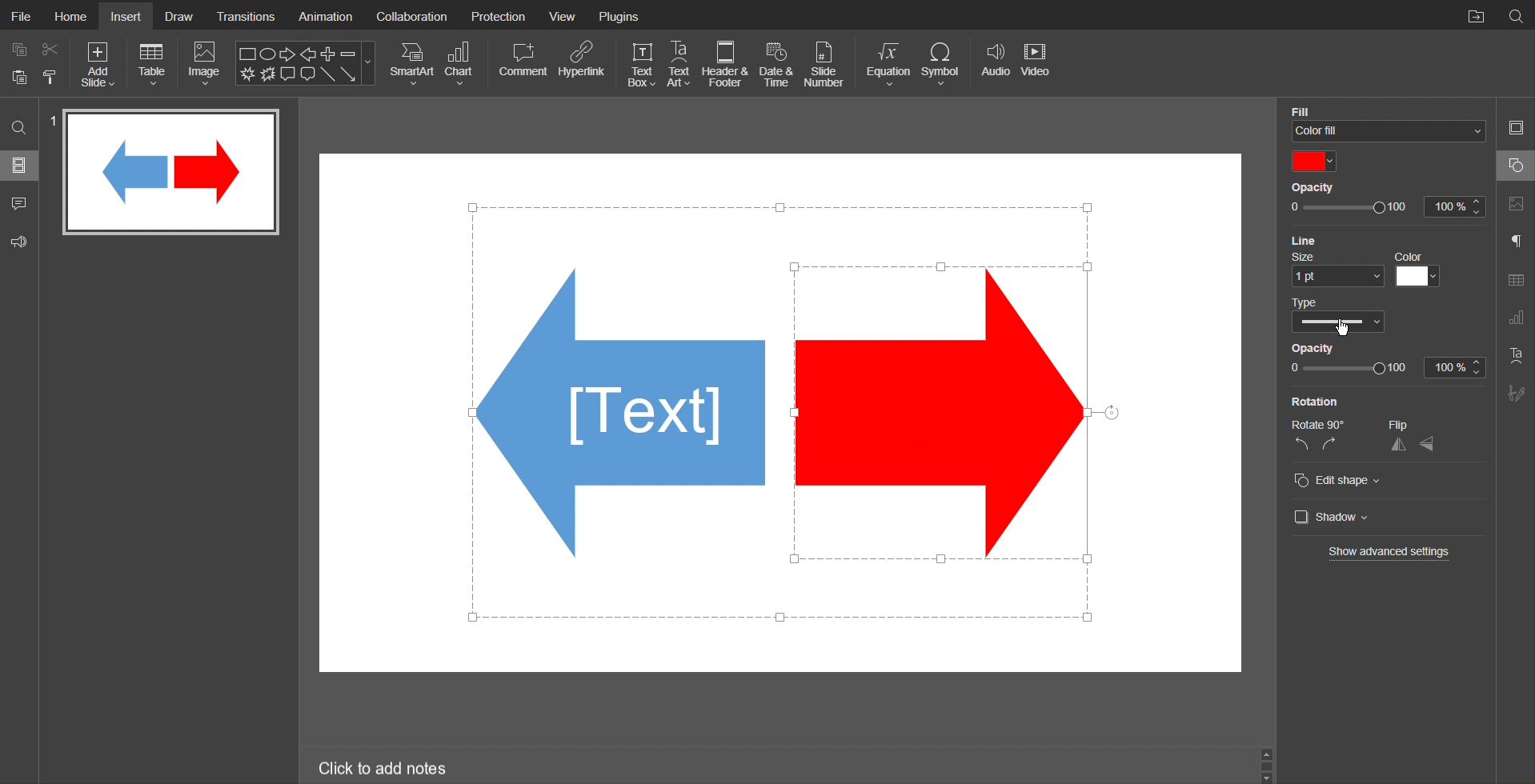 This screenshot has height=784, width=1535. Describe the element at coordinates (1314, 426) in the screenshot. I see `Rotate 90` at that location.